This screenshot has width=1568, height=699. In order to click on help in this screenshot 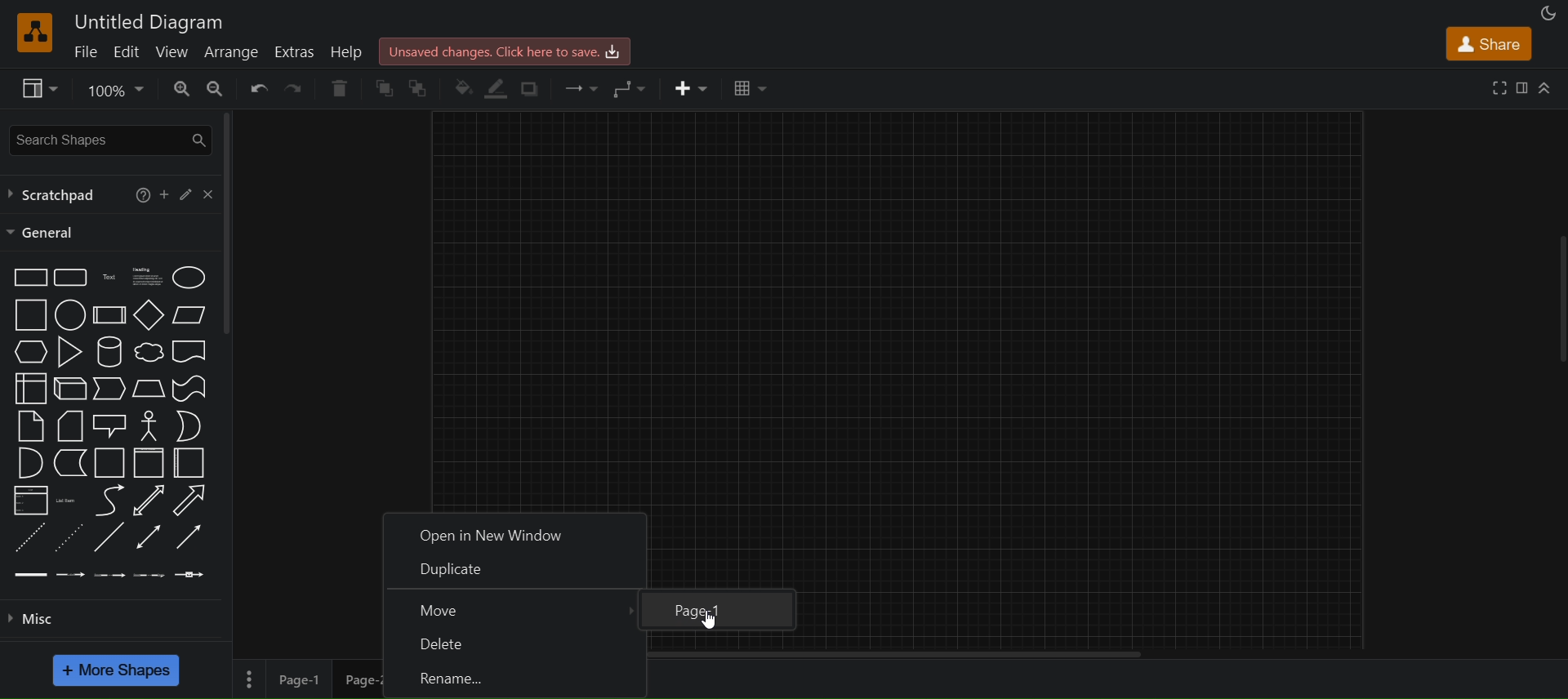, I will do `click(140, 195)`.